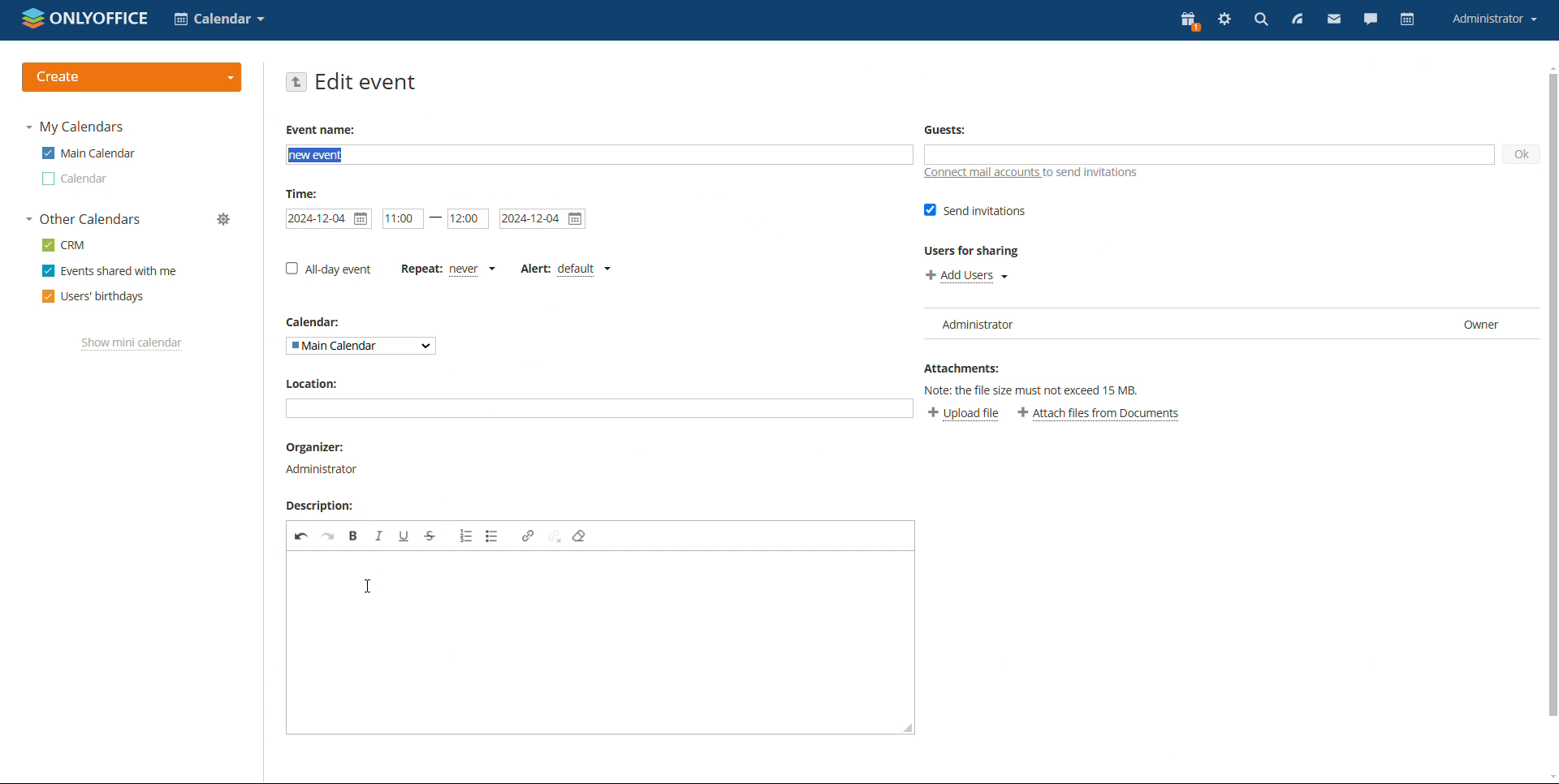 This screenshot has height=784, width=1559. I want to click on italic, so click(378, 536).